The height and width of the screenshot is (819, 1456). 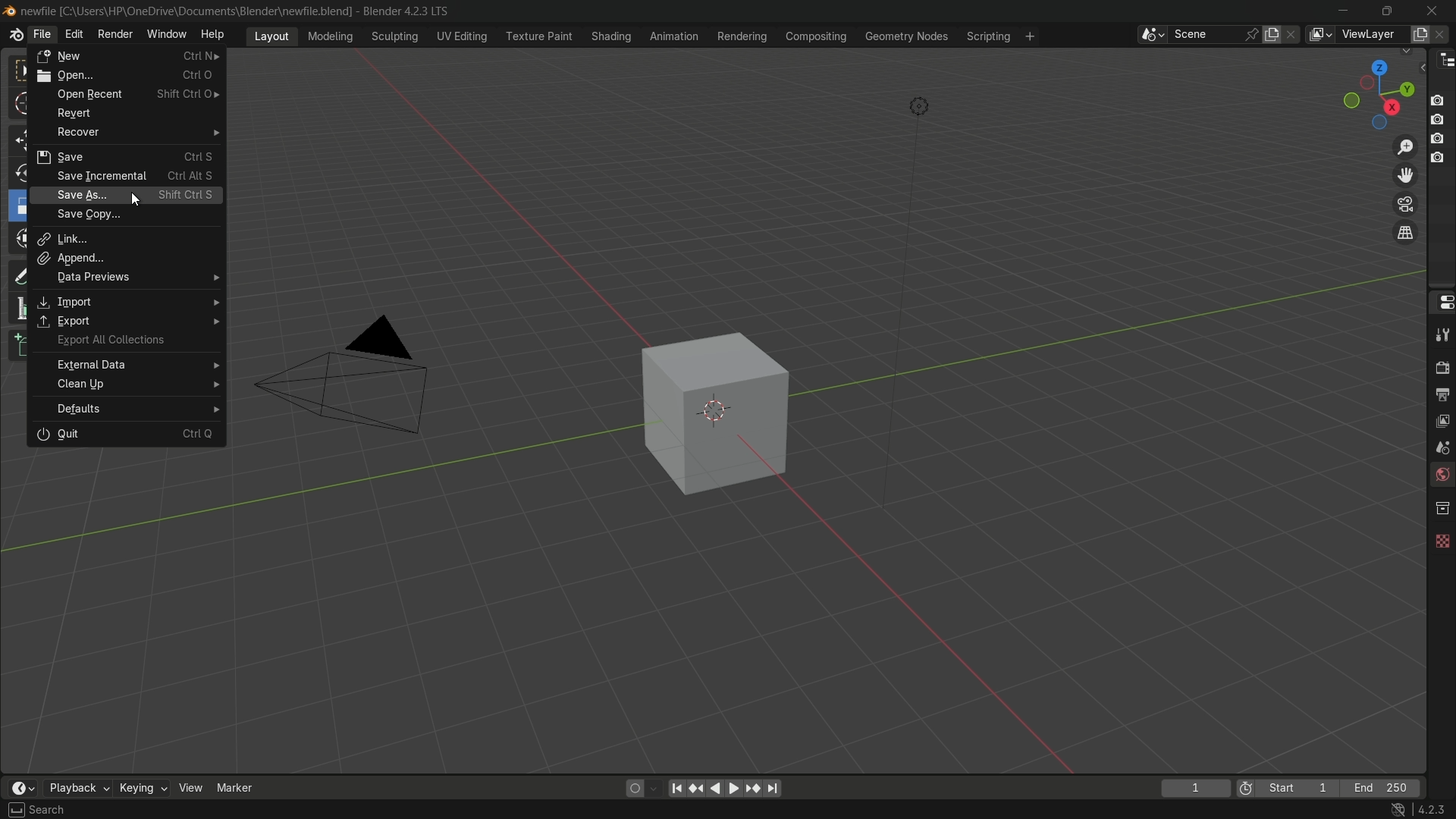 I want to click on new scene, so click(x=1275, y=34).